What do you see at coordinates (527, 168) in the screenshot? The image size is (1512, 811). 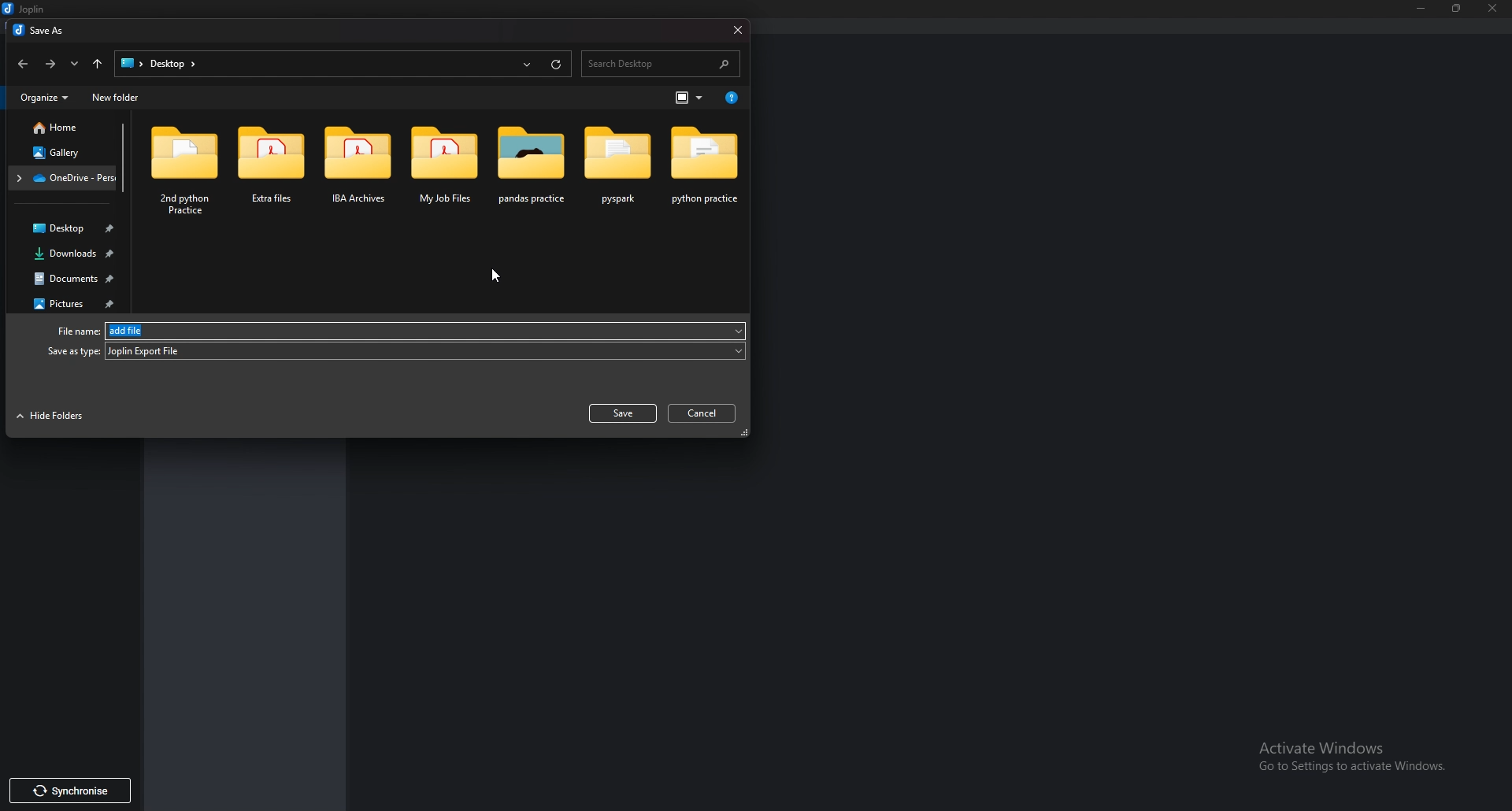 I see `folder` at bounding box center [527, 168].